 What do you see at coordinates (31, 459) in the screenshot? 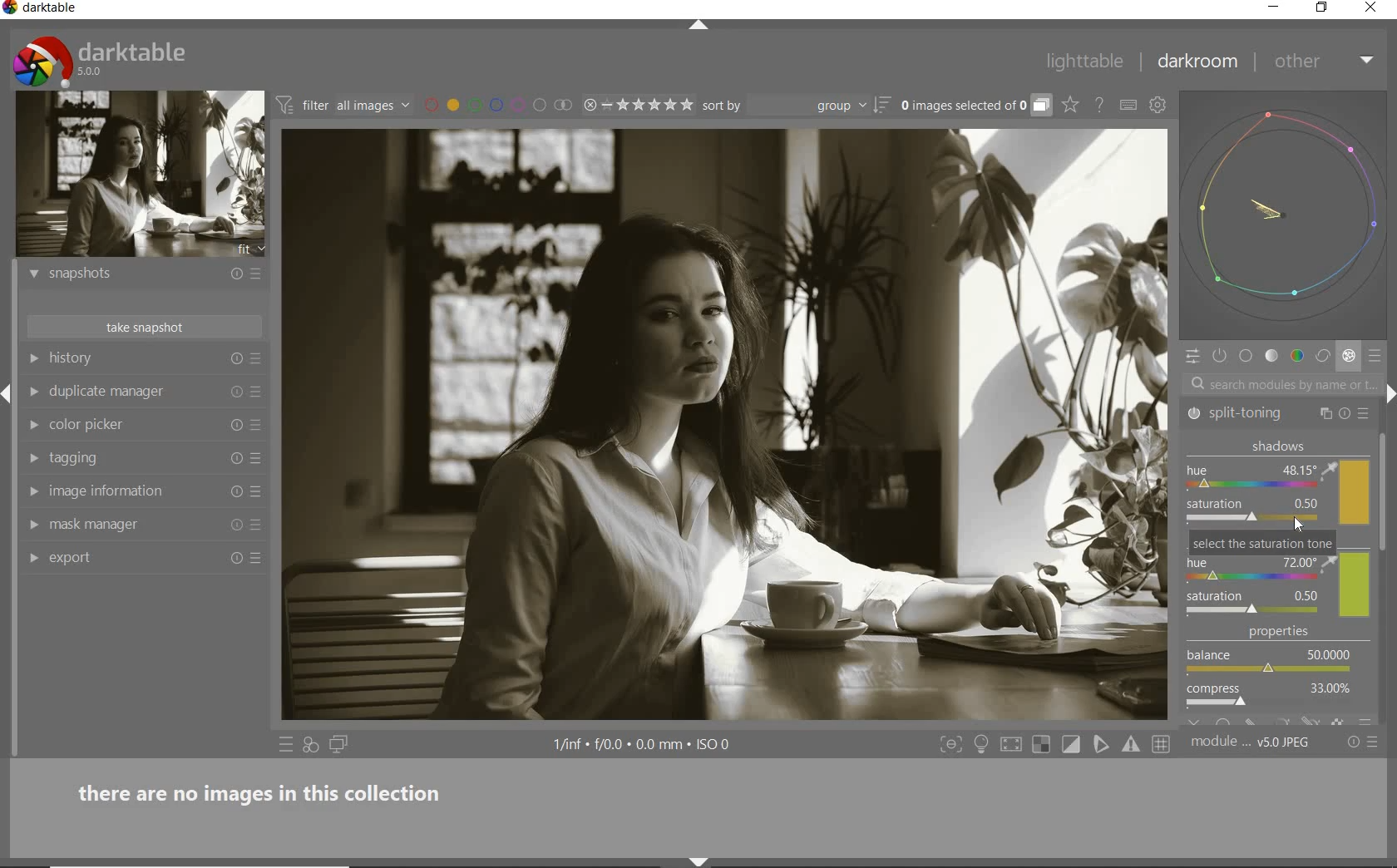
I see `show module` at bounding box center [31, 459].